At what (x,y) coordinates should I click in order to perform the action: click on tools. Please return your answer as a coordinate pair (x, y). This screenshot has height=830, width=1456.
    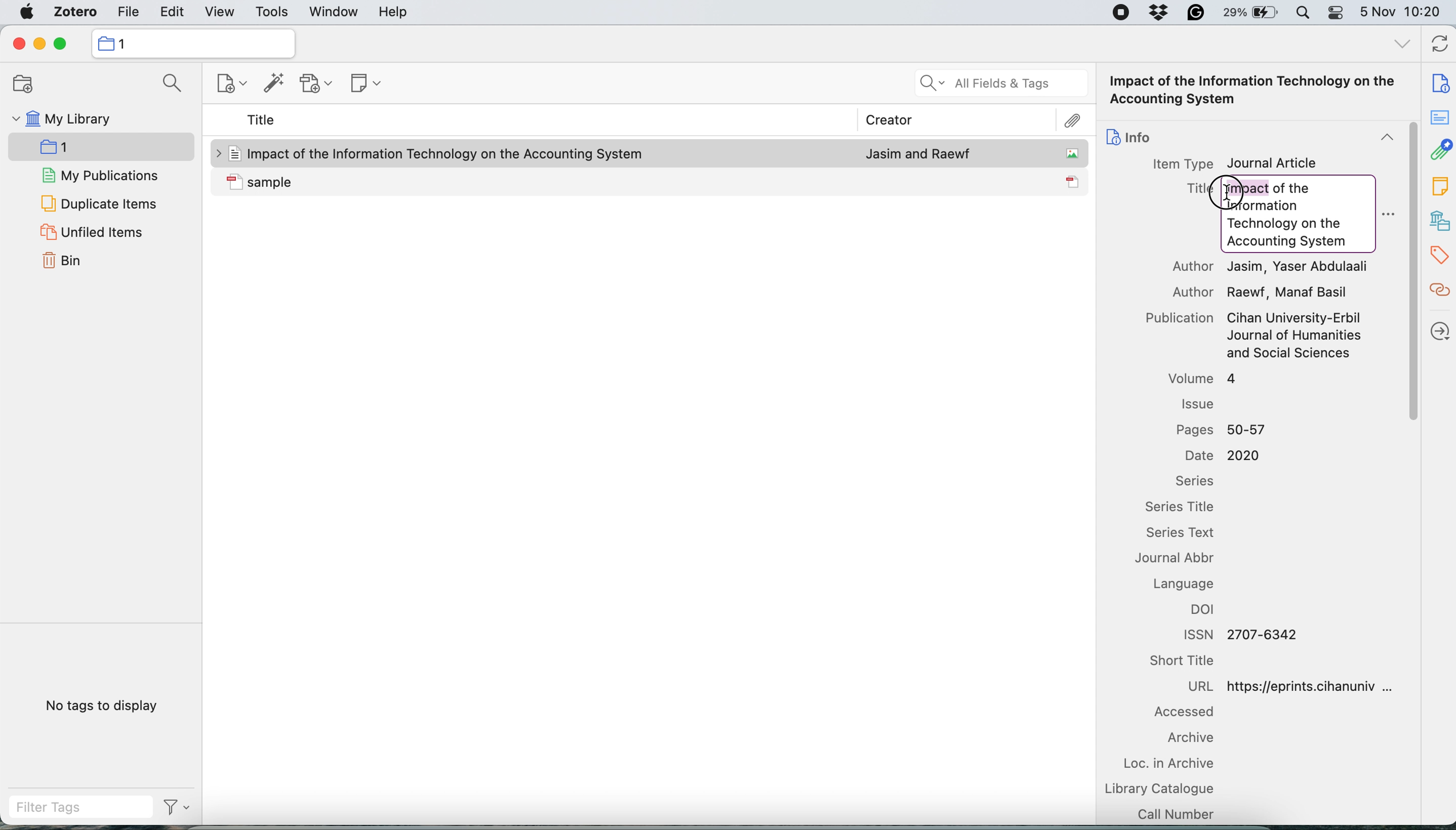
    Looking at the image, I should click on (274, 12).